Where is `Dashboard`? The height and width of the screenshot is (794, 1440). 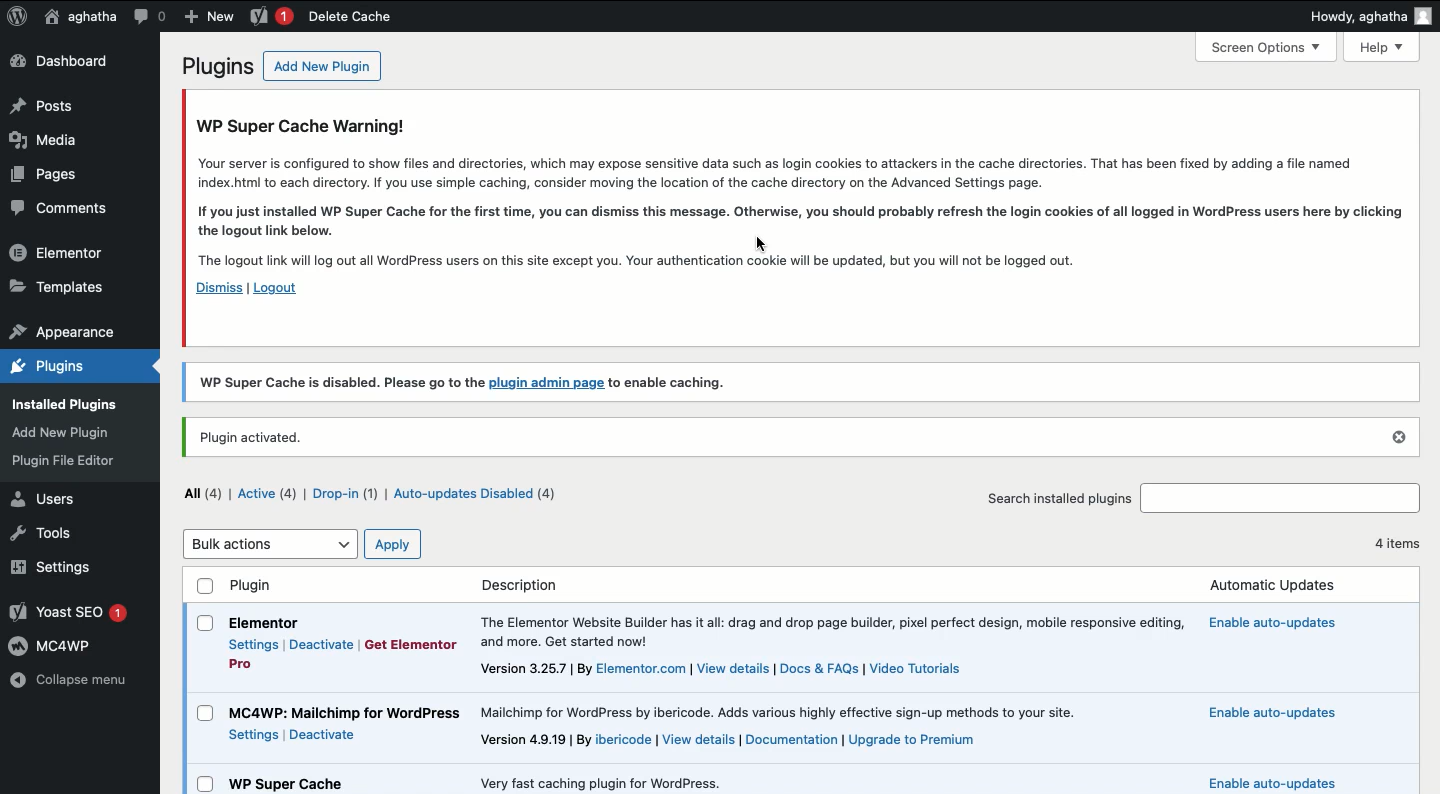 Dashboard is located at coordinates (61, 62).